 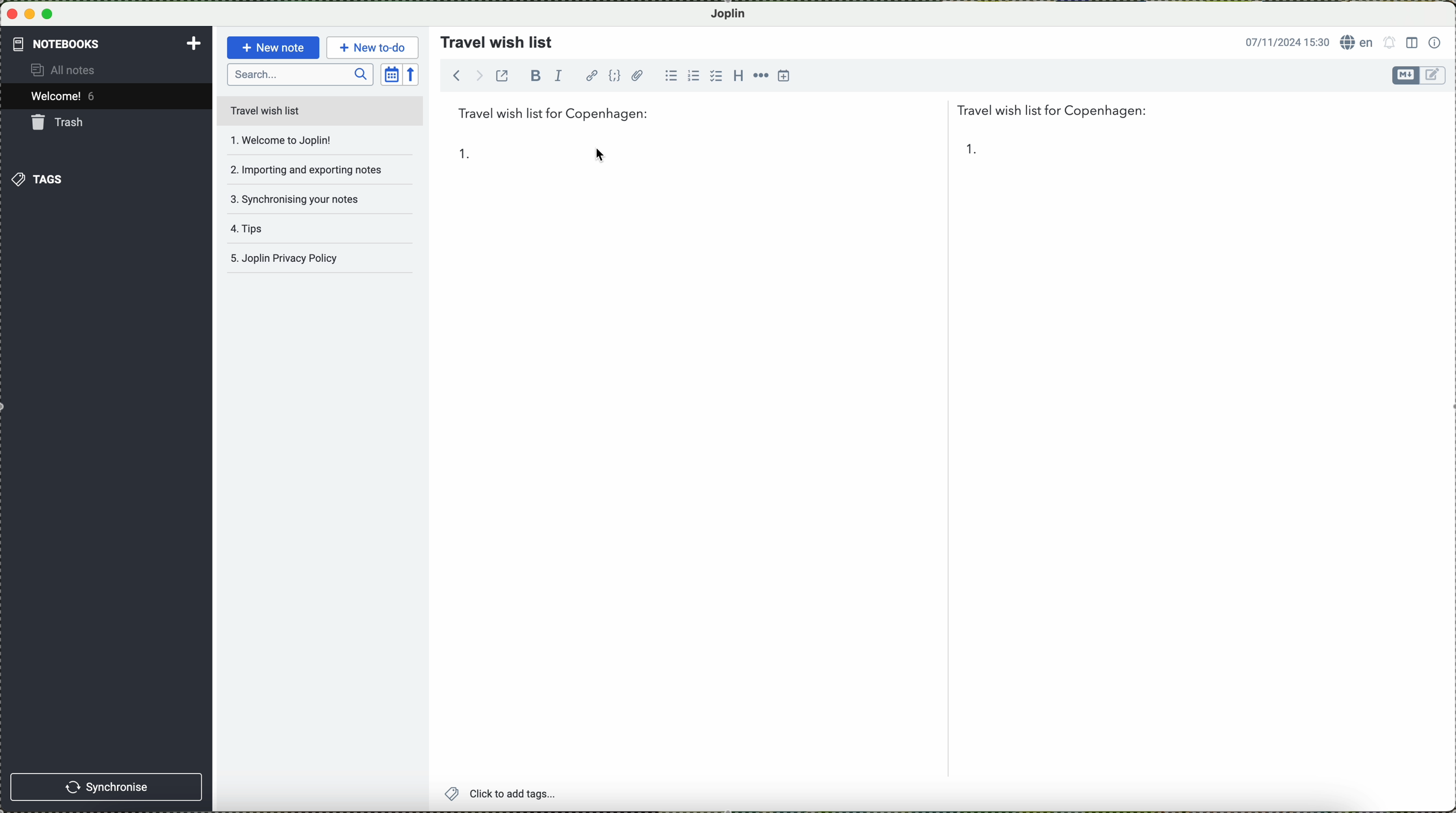 I want to click on bold, so click(x=536, y=75).